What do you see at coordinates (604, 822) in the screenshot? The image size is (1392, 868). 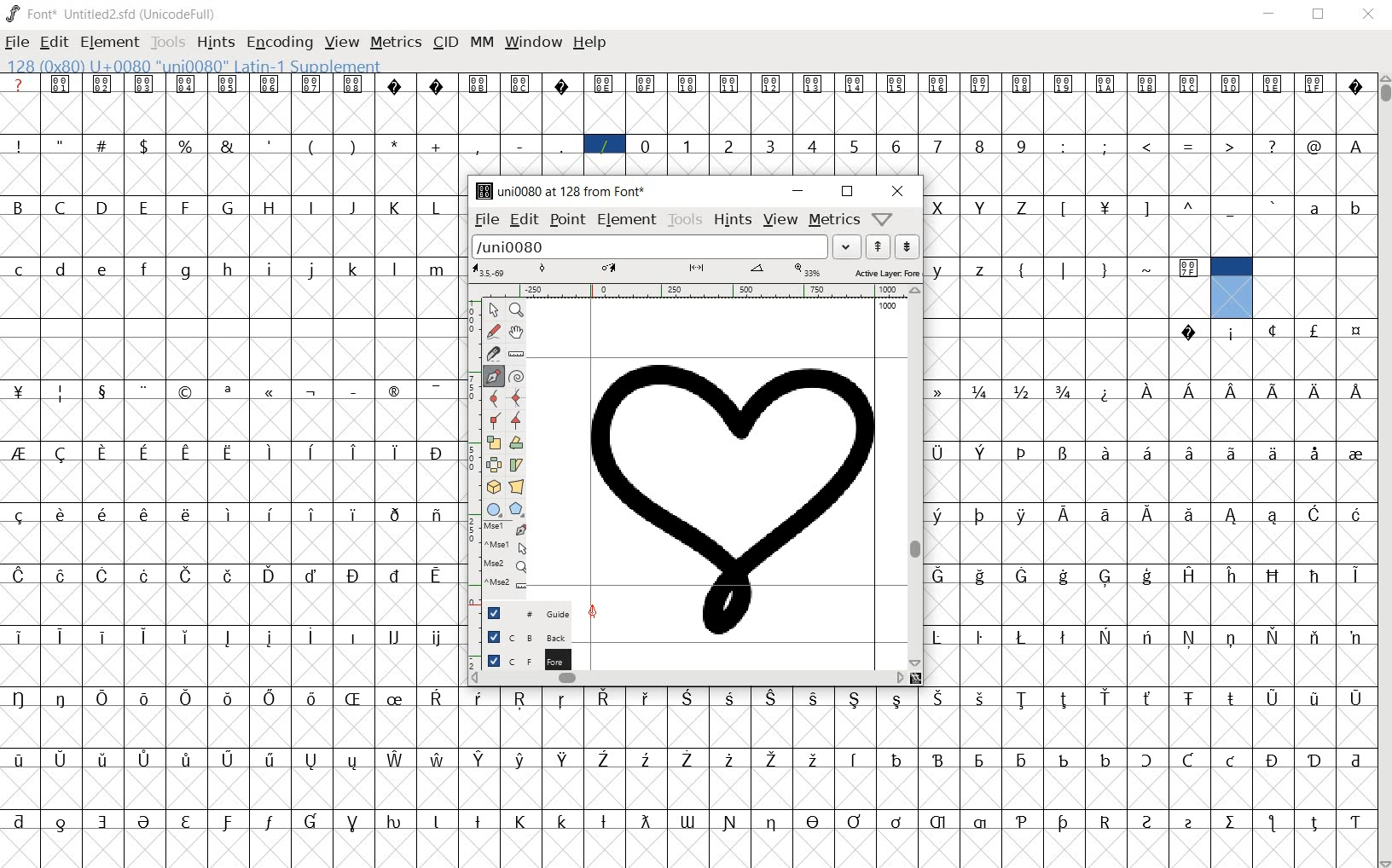 I see `glyph` at bounding box center [604, 822].